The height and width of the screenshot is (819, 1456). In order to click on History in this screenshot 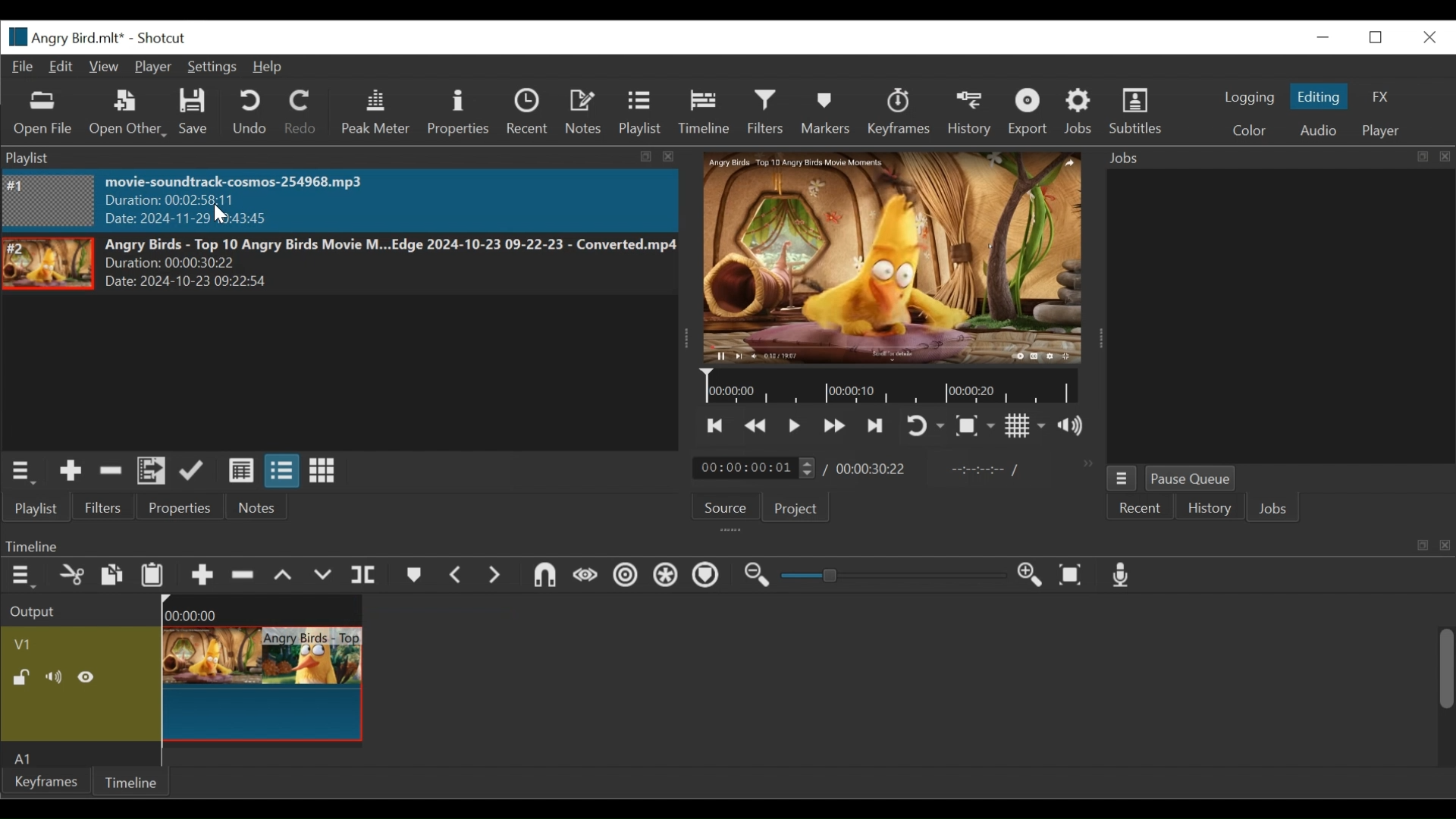, I will do `click(968, 113)`.